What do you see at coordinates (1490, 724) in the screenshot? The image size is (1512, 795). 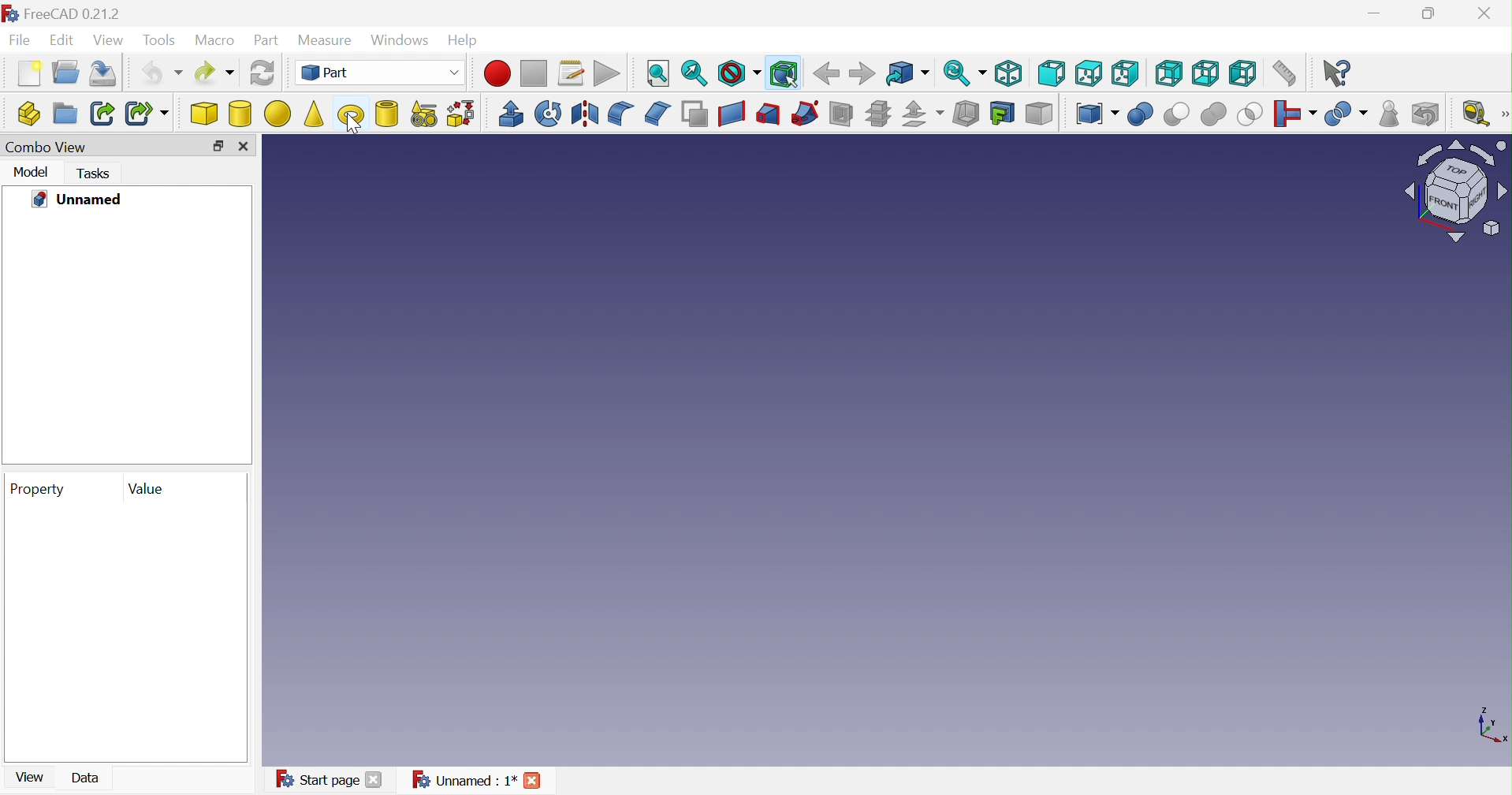 I see `x, y axis` at bounding box center [1490, 724].